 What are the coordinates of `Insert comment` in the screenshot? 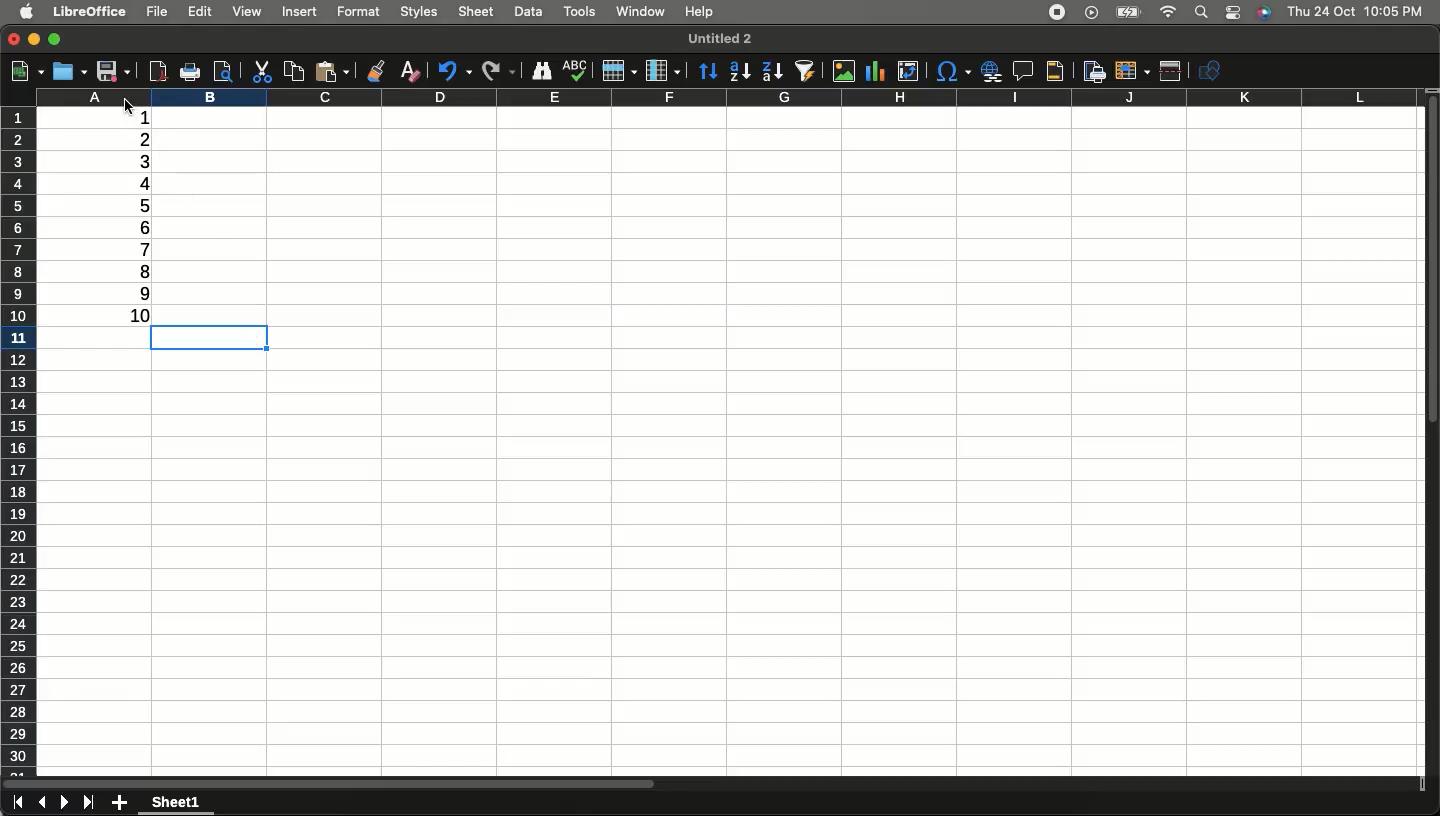 It's located at (1019, 71).